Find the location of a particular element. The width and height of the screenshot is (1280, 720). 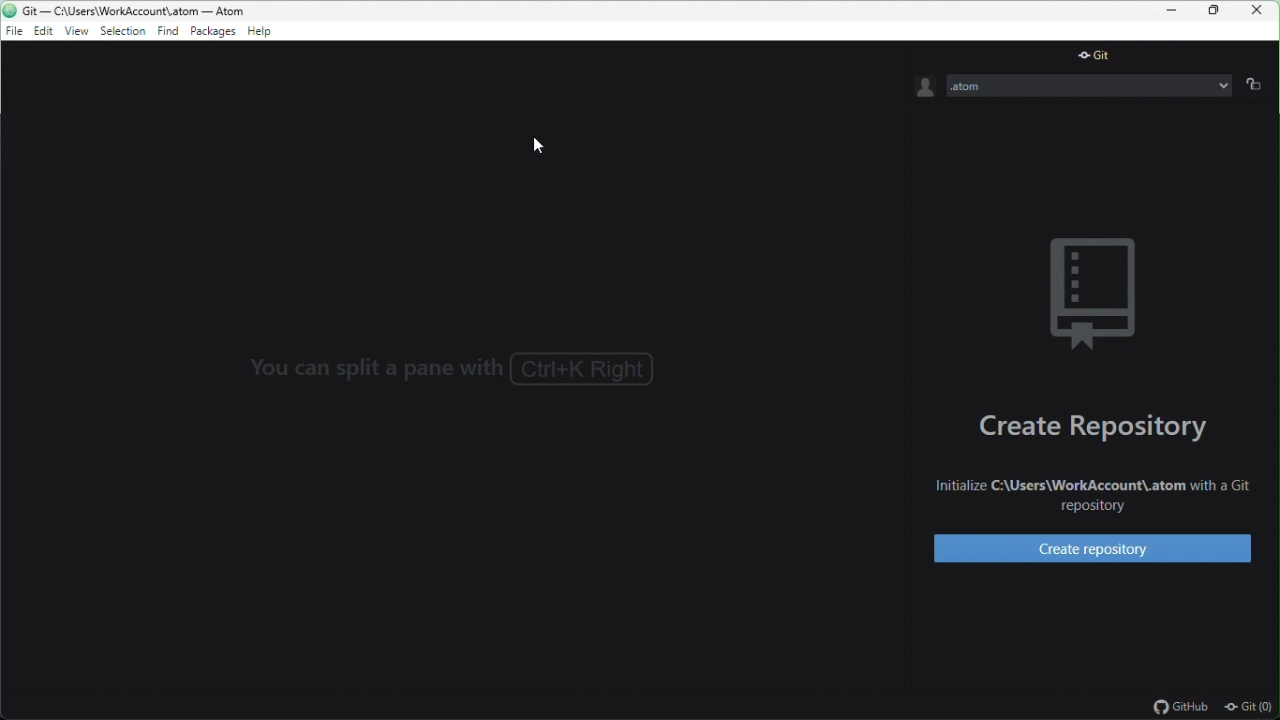

create repository is located at coordinates (1097, 425).